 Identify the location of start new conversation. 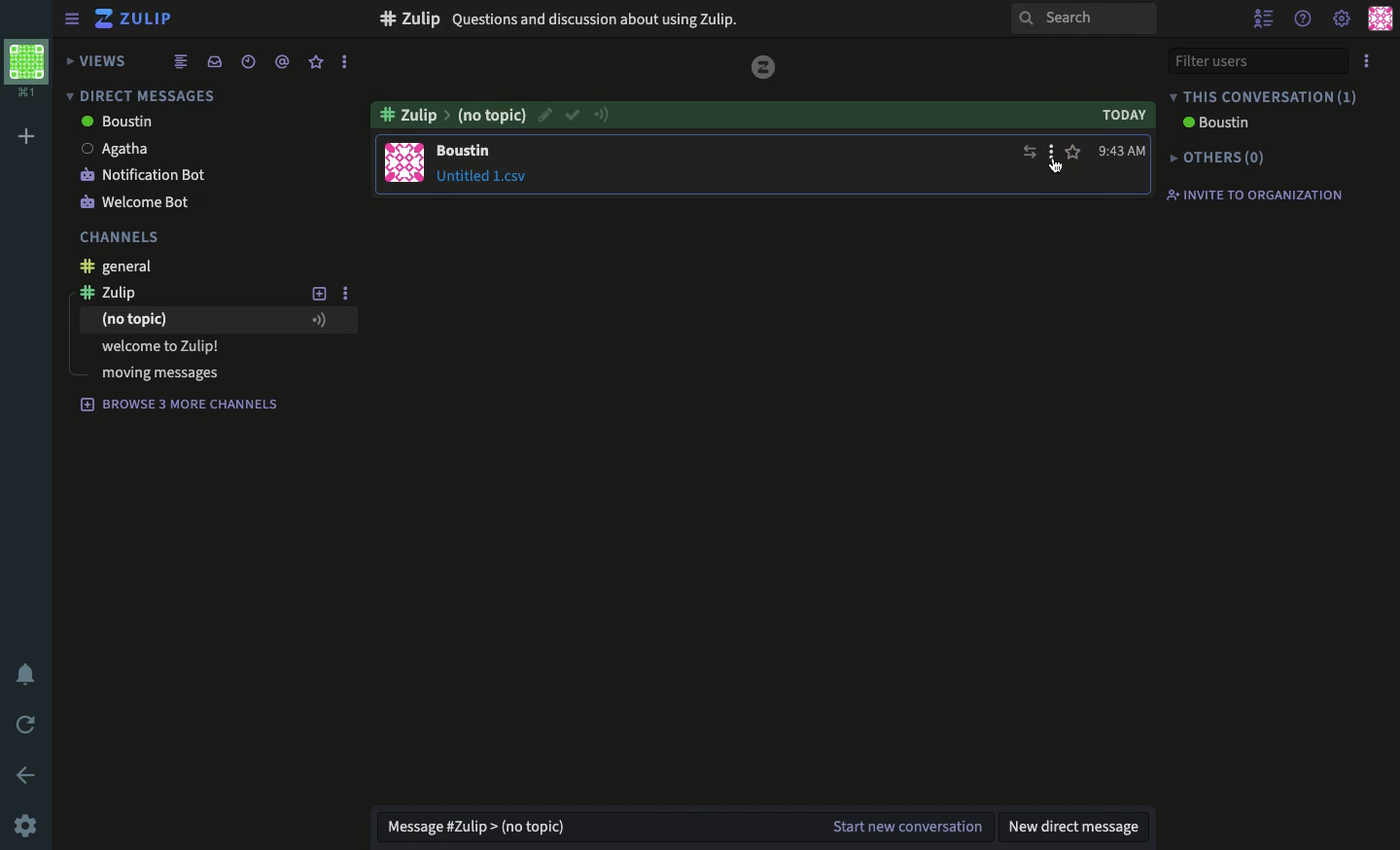
(904, 822).